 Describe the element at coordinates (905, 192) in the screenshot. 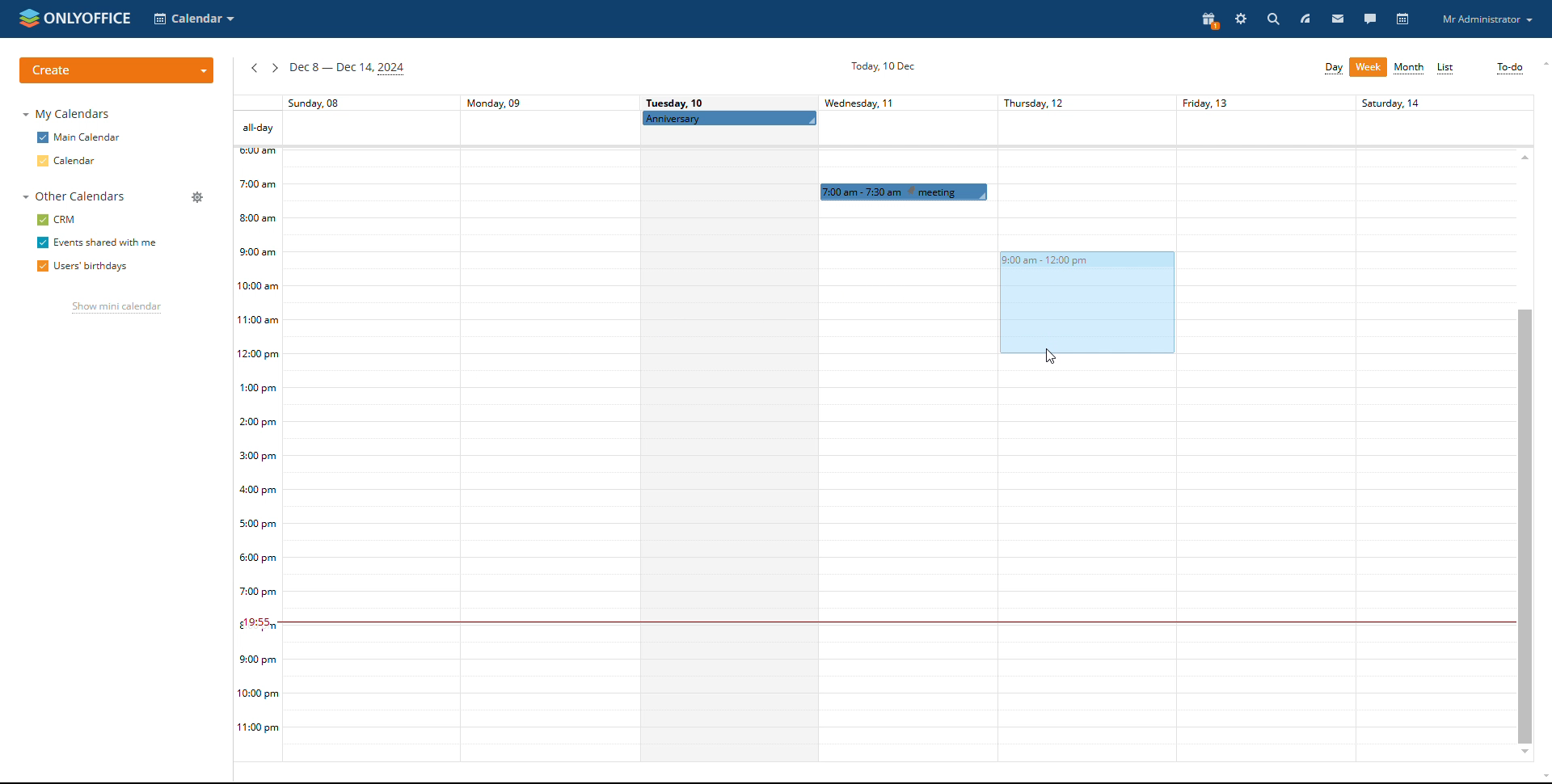

I see `scheduled event` at that location.